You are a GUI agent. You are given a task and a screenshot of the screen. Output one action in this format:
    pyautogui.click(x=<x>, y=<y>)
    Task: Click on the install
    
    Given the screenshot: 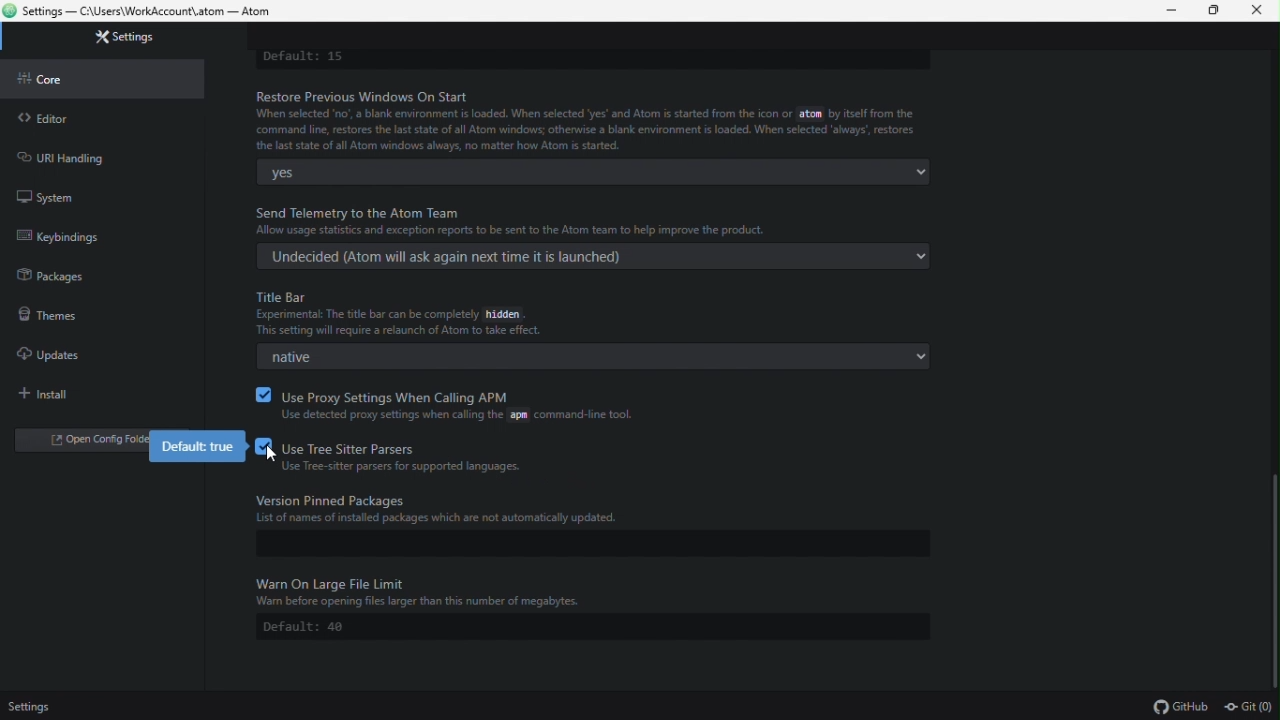 What is the action you would take?
    pyautogui.click(x=51, y=394)
    